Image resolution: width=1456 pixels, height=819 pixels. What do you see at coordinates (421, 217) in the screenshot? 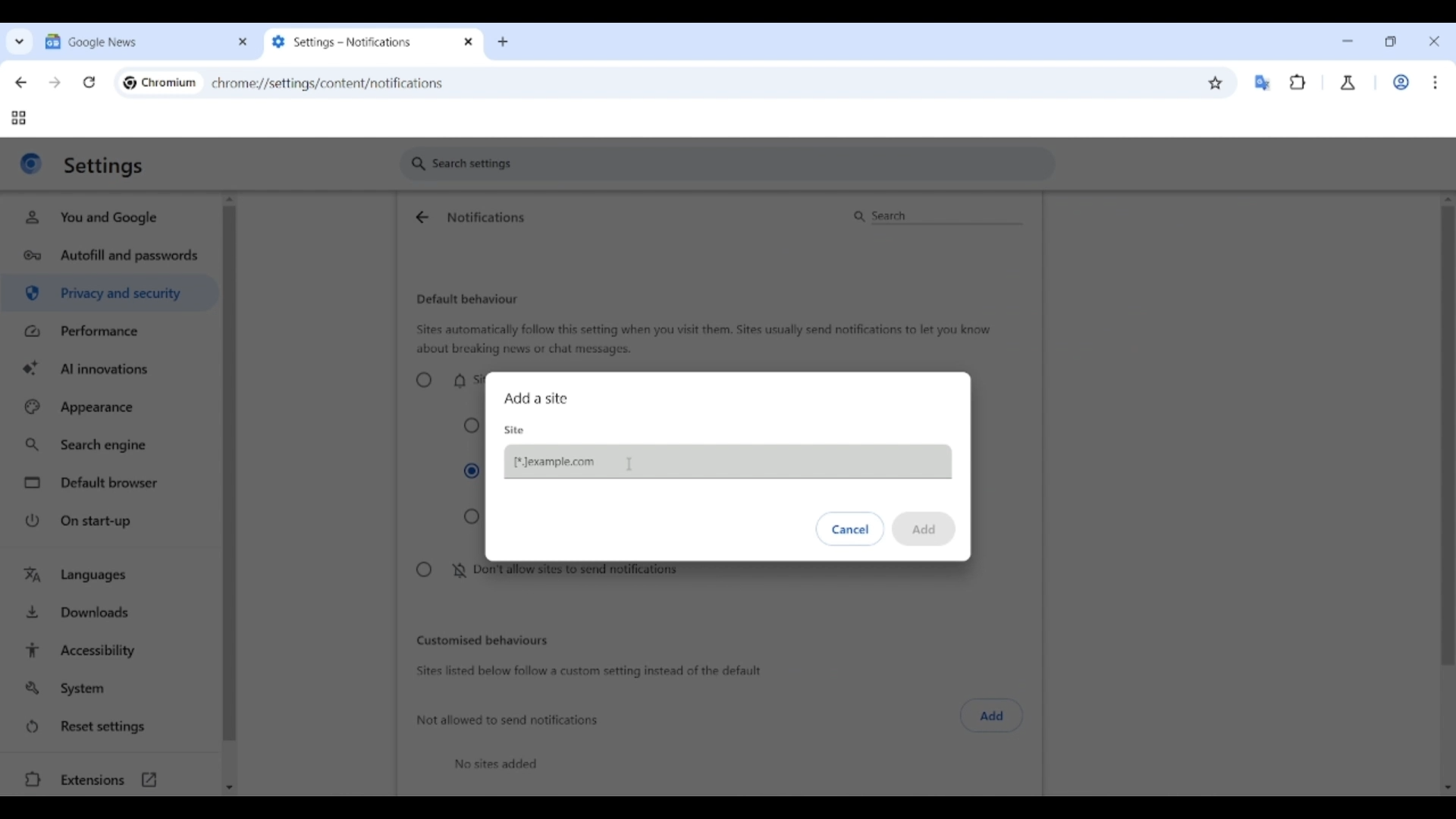
I see `Go back to site settings` at bounding box center [421, 217].